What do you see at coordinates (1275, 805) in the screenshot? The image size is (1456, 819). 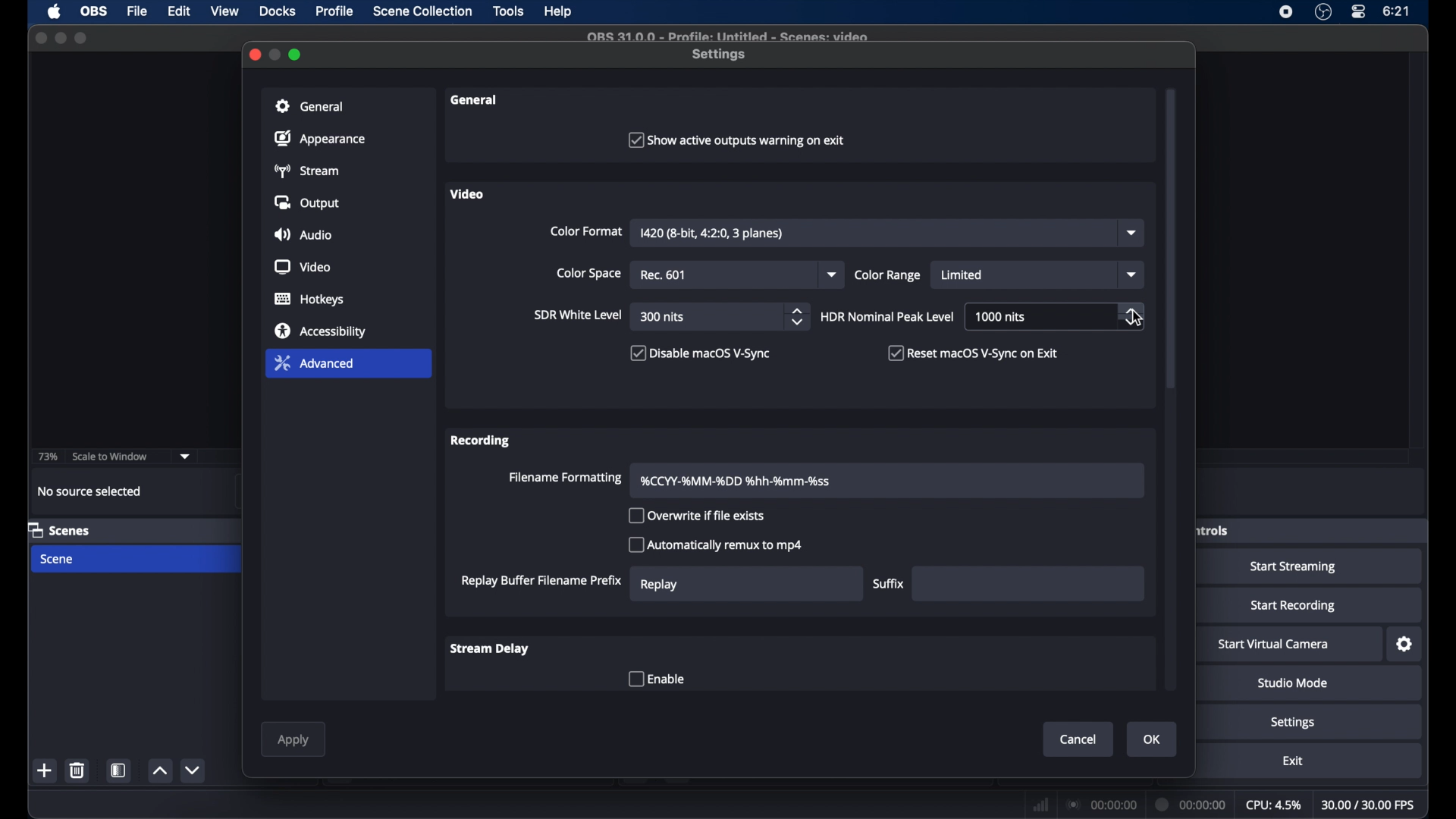 I see `cpu` at bounding box center [1275, 805].